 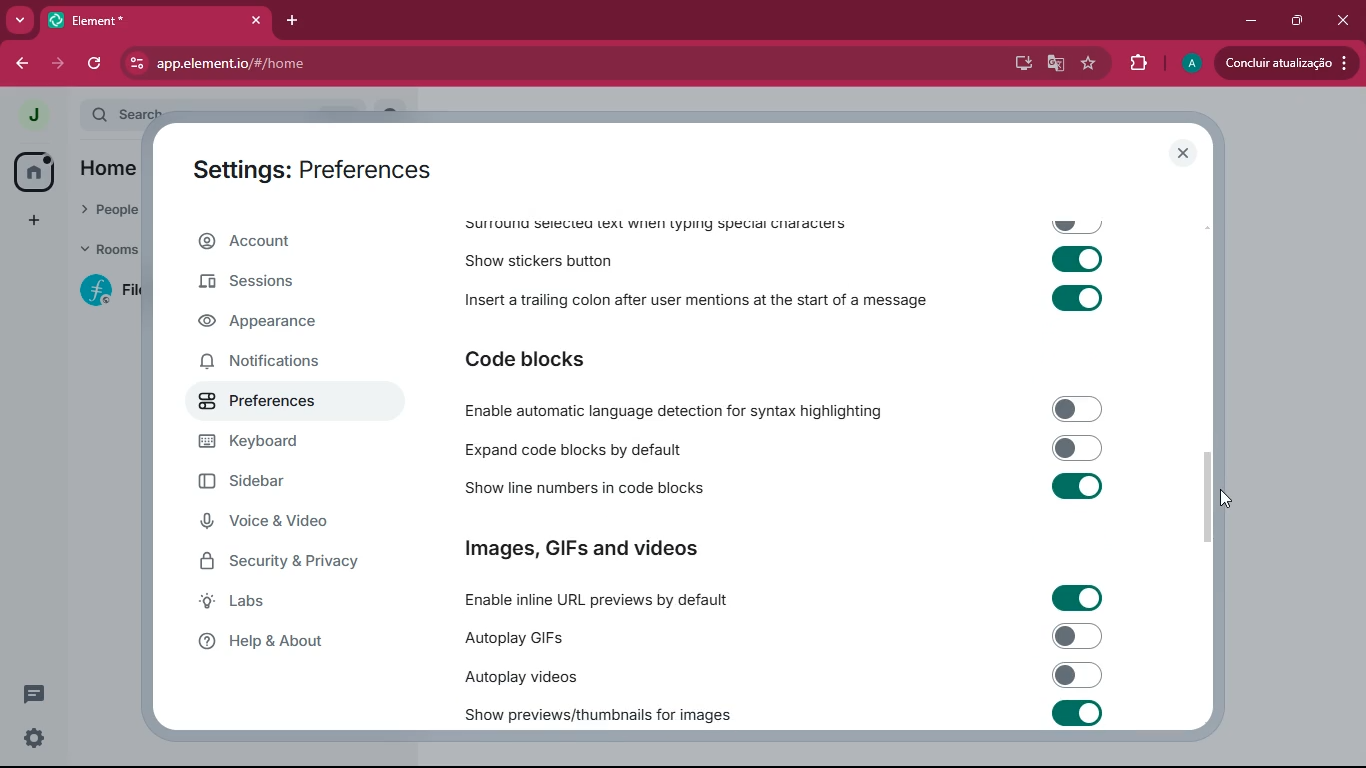 I want to click on voice & video, so click(x=296, y=524).